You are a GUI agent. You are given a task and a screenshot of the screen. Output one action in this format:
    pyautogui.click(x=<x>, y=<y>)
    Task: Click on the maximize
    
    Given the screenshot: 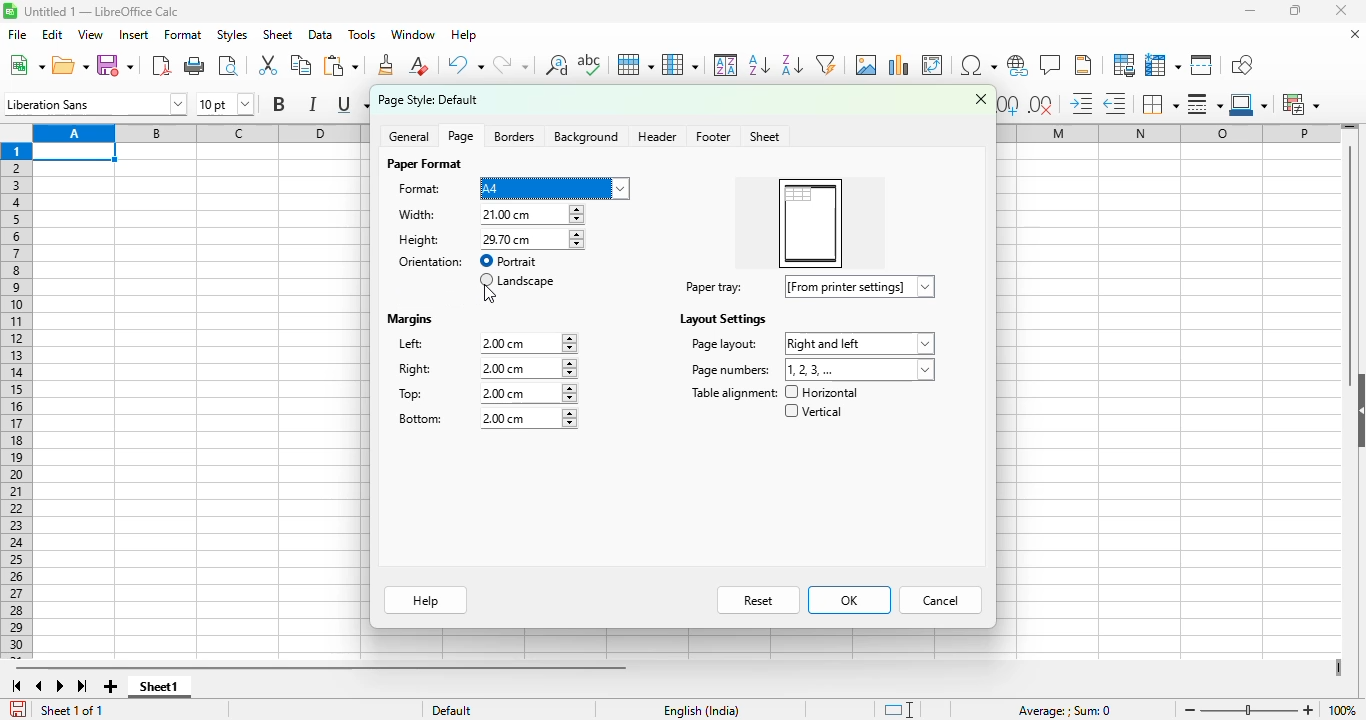 What is the action you would take?
    pyautogui.click(x=1294, y=11)
    